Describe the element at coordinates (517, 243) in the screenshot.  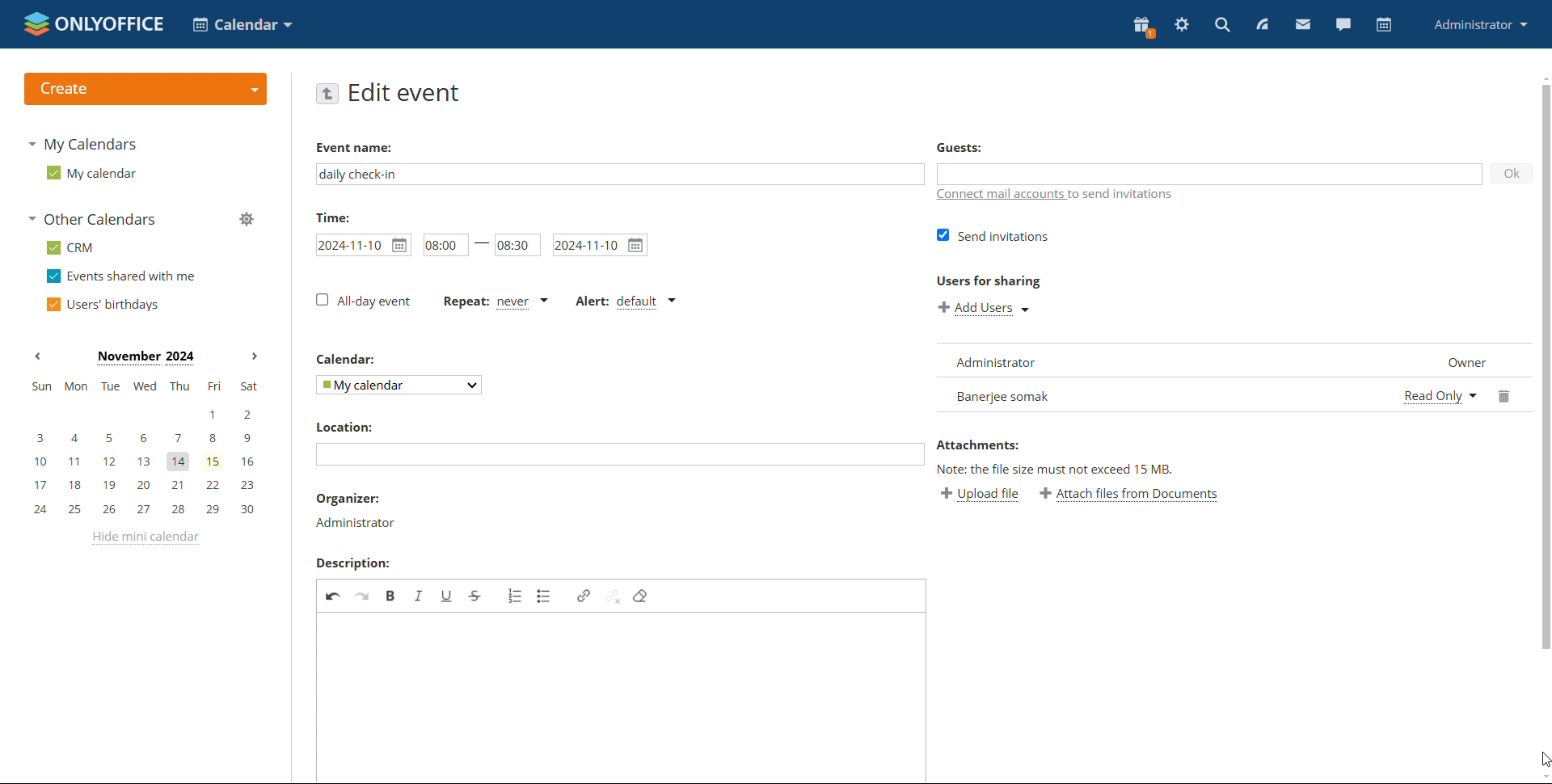
I see `end time` at that location.